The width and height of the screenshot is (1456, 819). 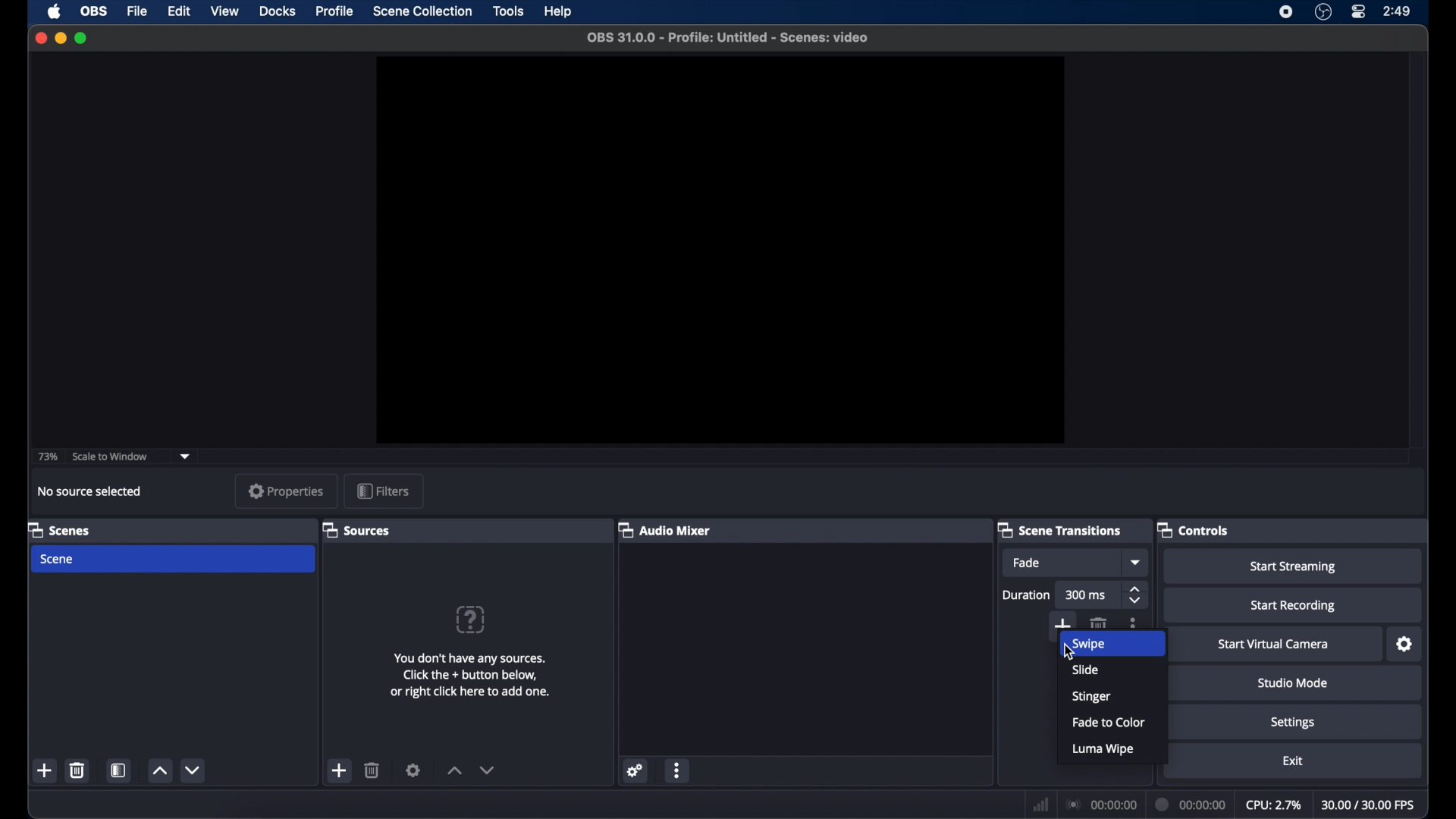 I want to click on delete, so click(x=372, y=770).